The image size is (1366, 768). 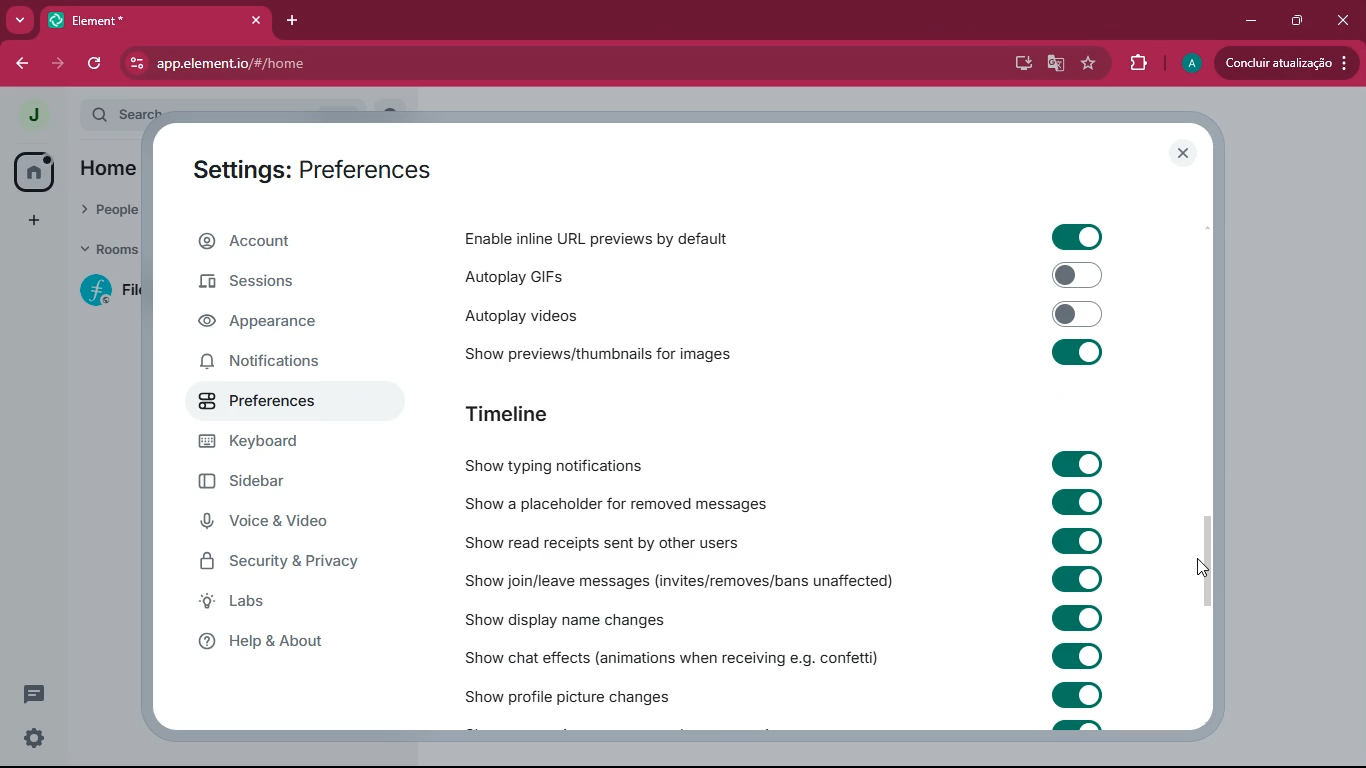 I want to click on account, so click(x=288, y=242).